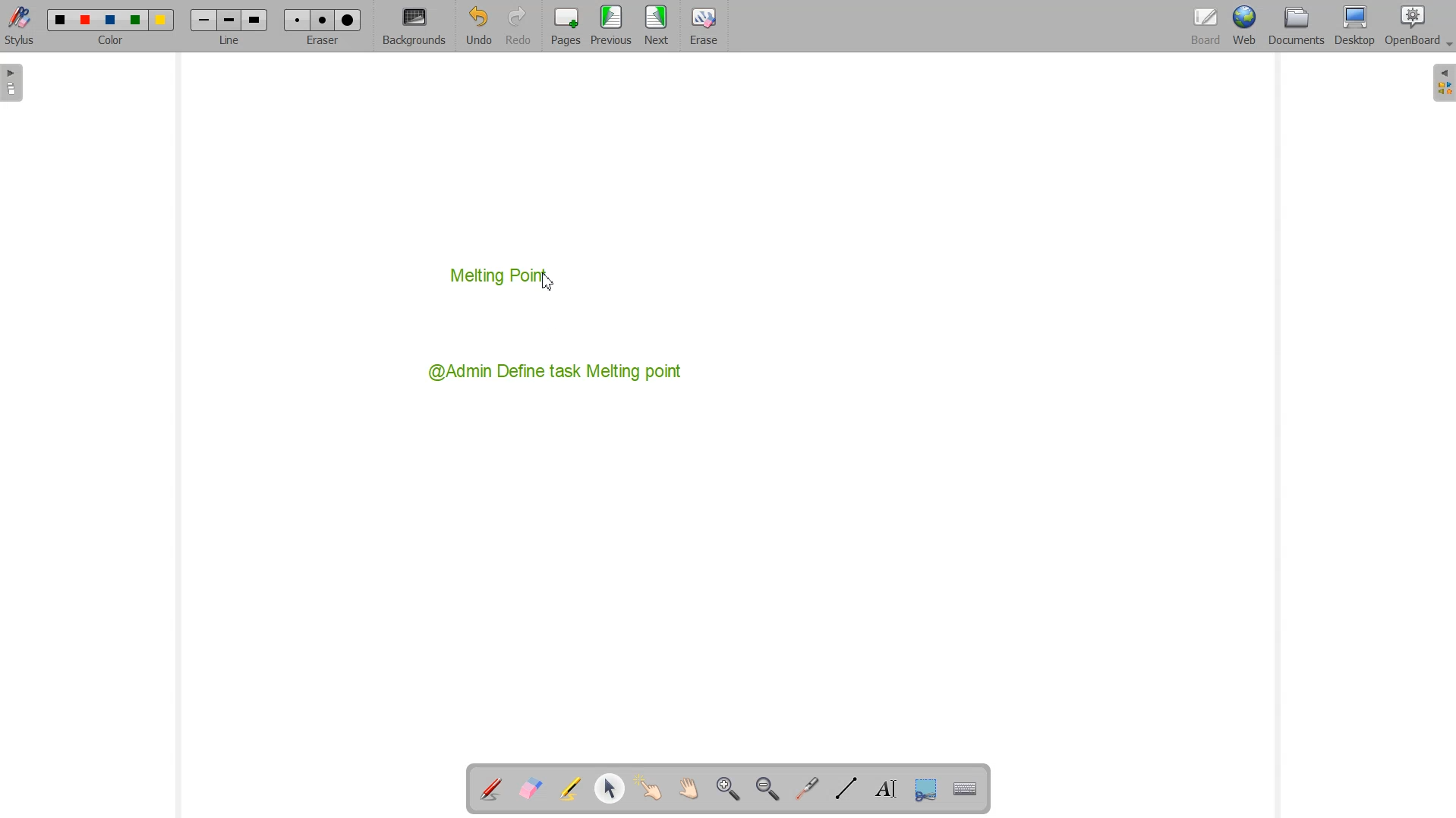 The image size is (1456, 818). What do you see at coordinates (648, 789) in the screenshot?
I see `Interact with item` at bounding box center [648, 789].